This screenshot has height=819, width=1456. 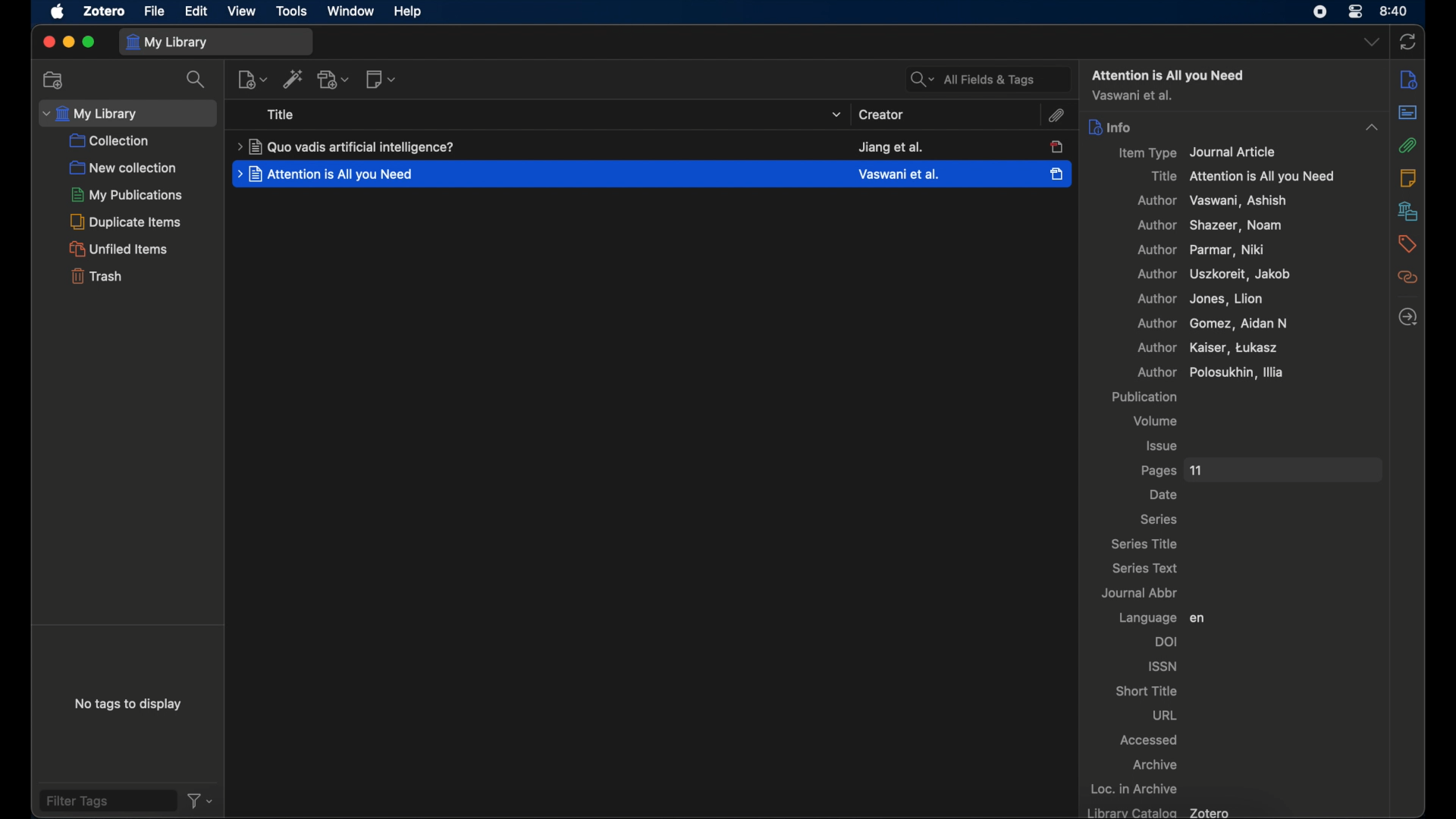 I want to click on my library dropdown menu, so click(x=128, y=112).